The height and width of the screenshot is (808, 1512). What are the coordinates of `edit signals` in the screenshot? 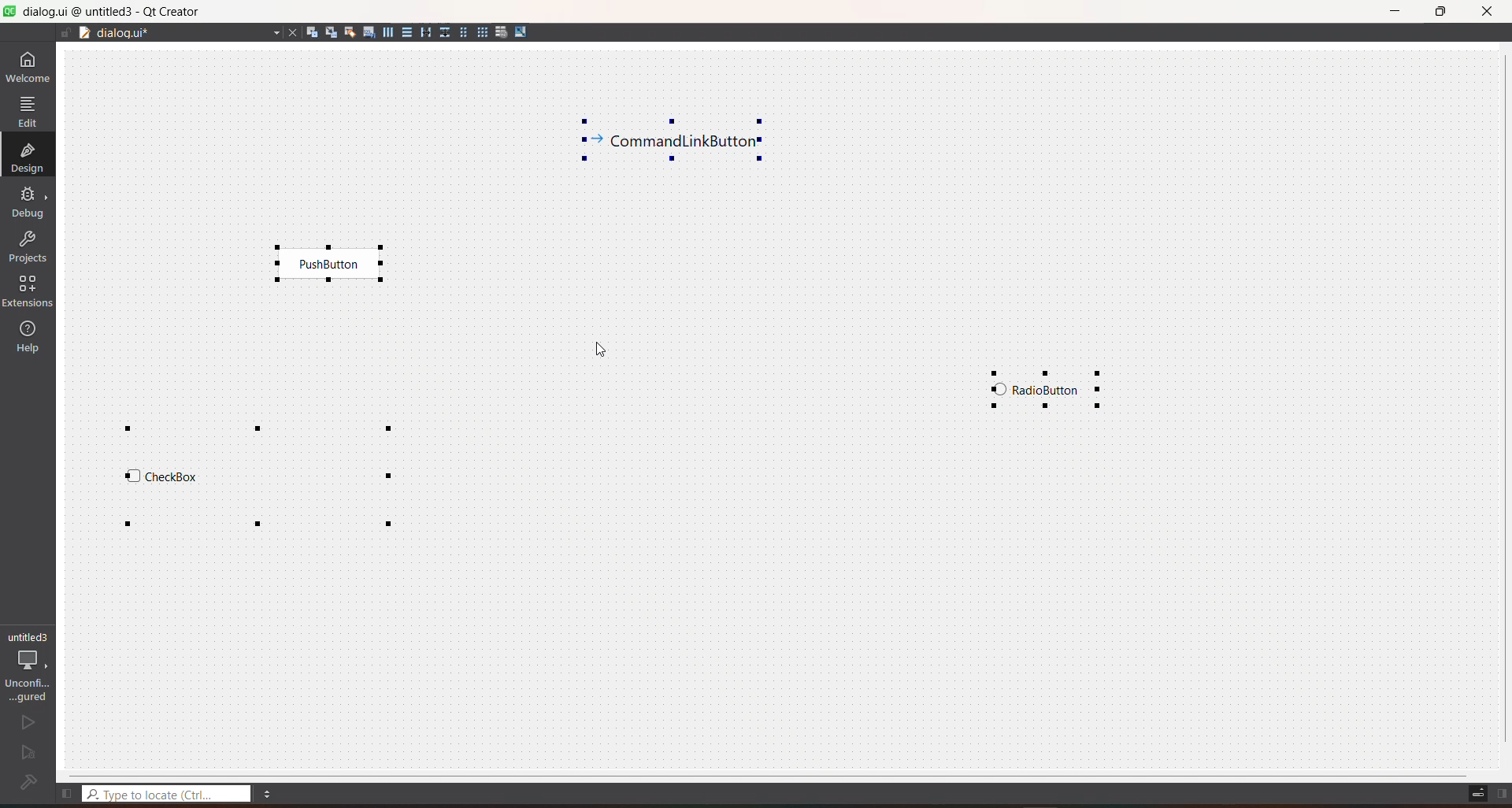 It's located at (329, 32).